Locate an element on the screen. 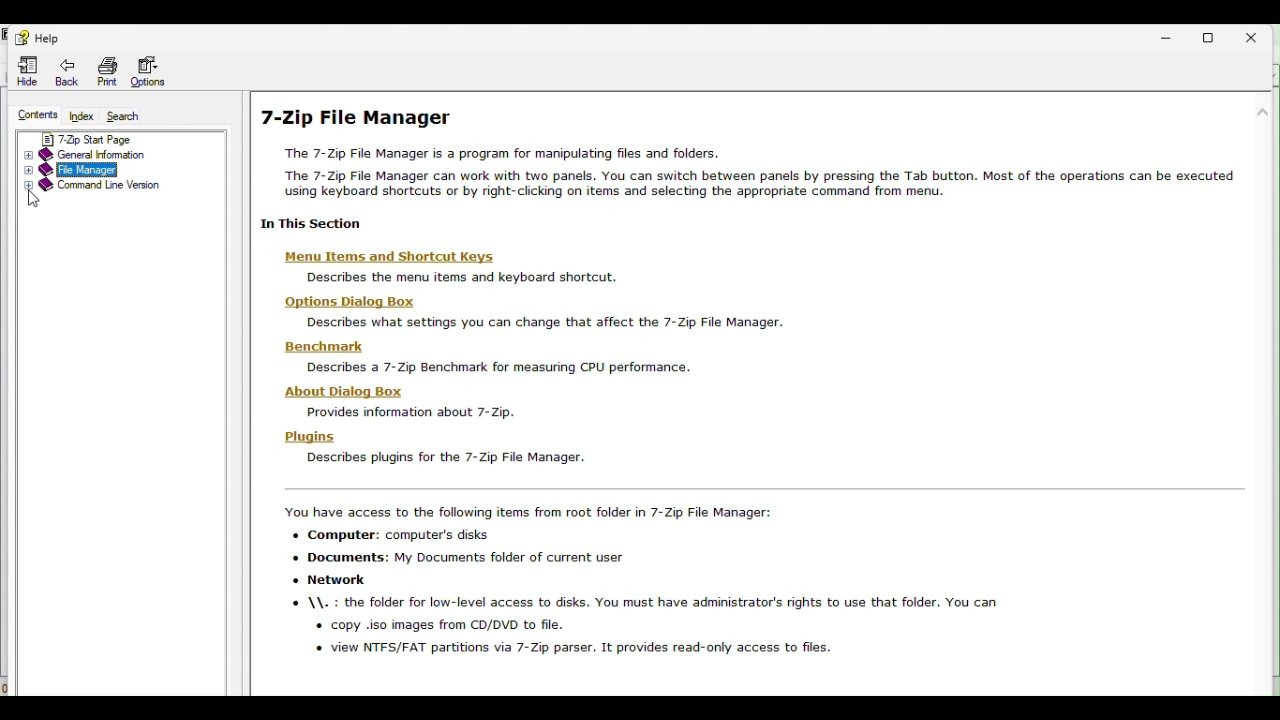  Back  is located at coordinates (70, 72).